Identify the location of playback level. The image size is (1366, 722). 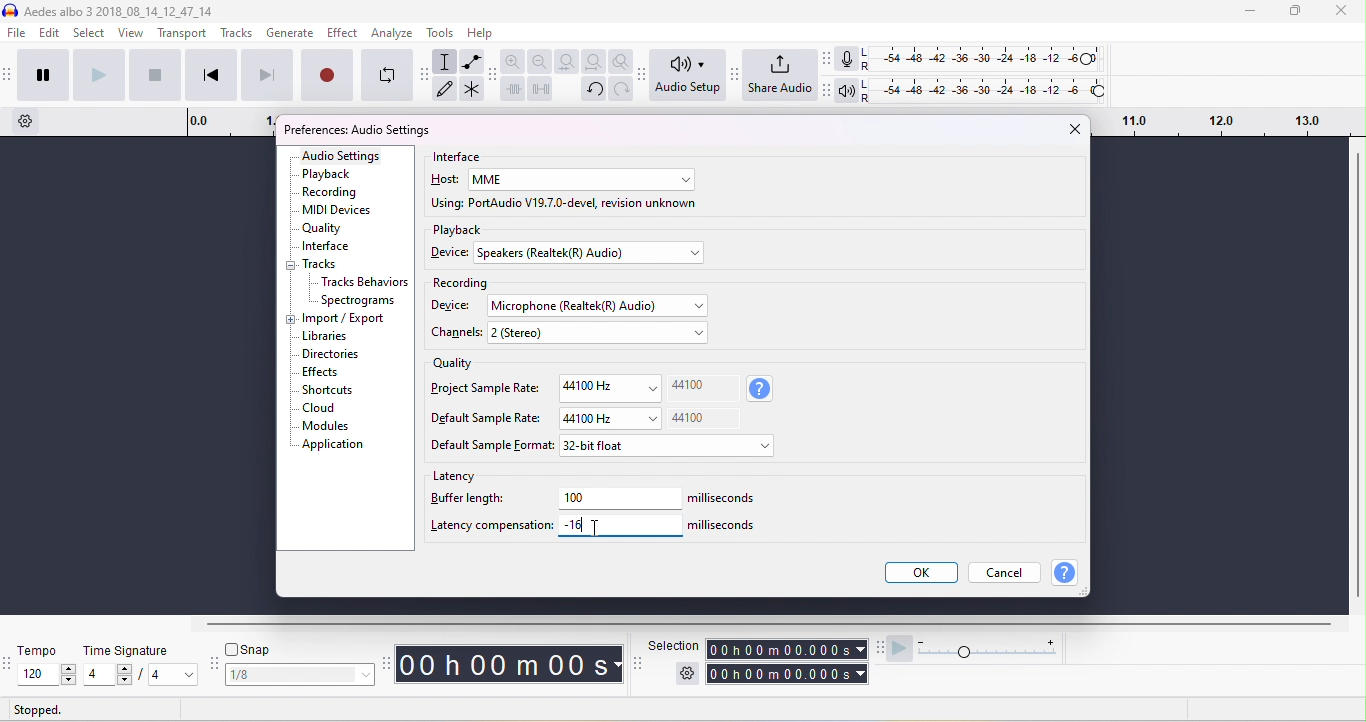
(990, 87).